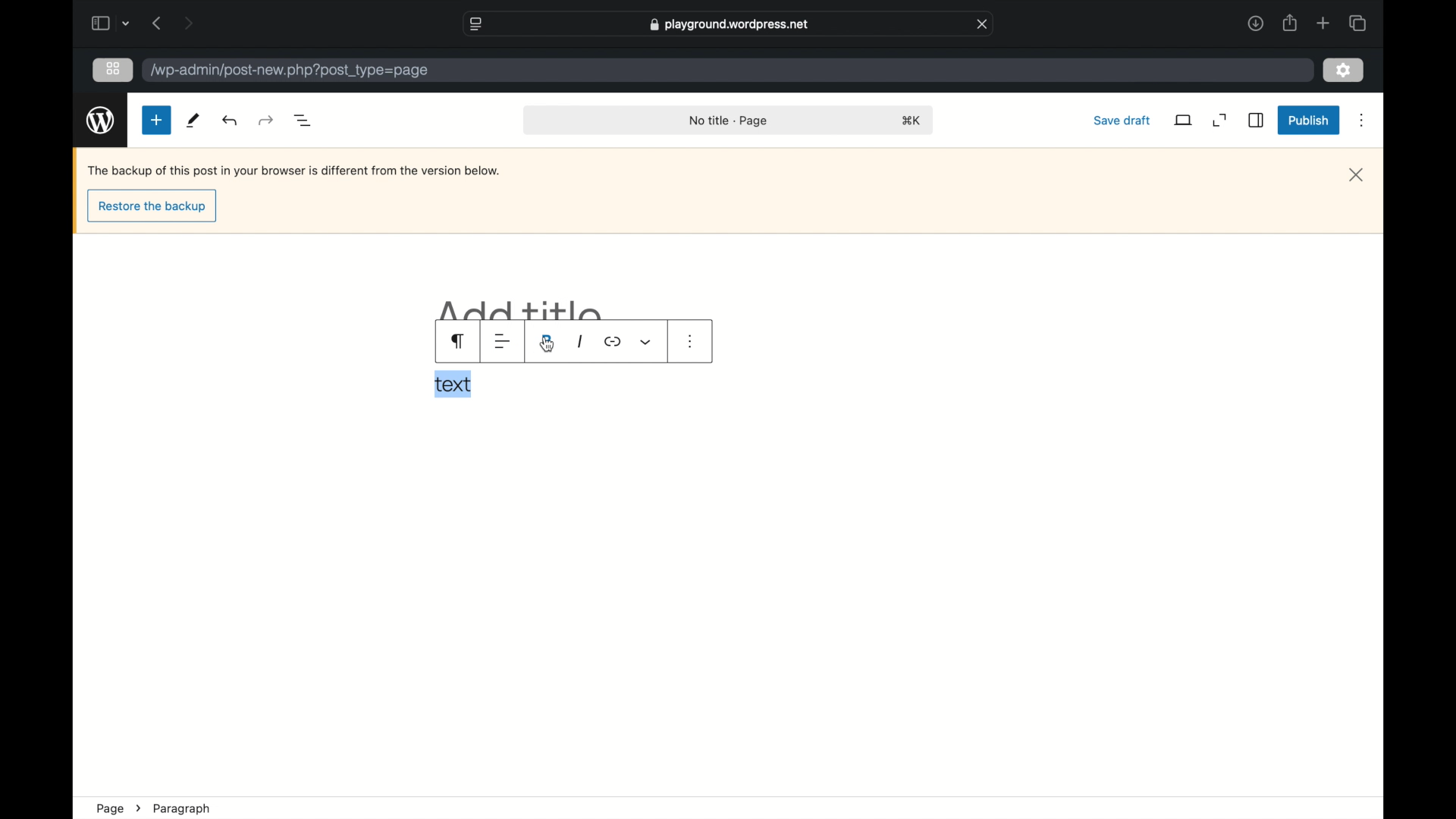  What do you see at coordinates (1220, 121) in the screenshot?
I see `expand` at bounding box center [1220, 121].